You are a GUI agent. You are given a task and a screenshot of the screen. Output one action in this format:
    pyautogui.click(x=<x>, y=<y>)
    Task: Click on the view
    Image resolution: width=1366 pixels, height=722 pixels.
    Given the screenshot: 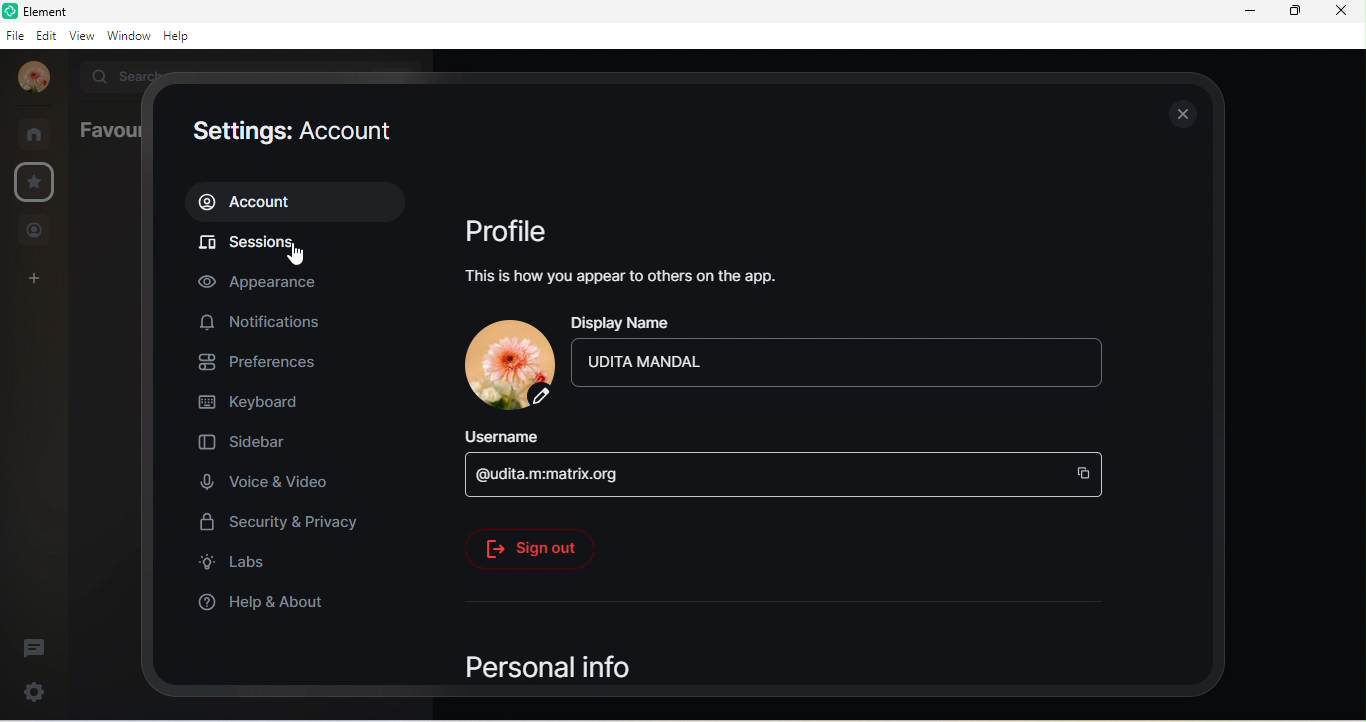 What is the action you would take?
    pyautogui.click(x=82, y=34)
    